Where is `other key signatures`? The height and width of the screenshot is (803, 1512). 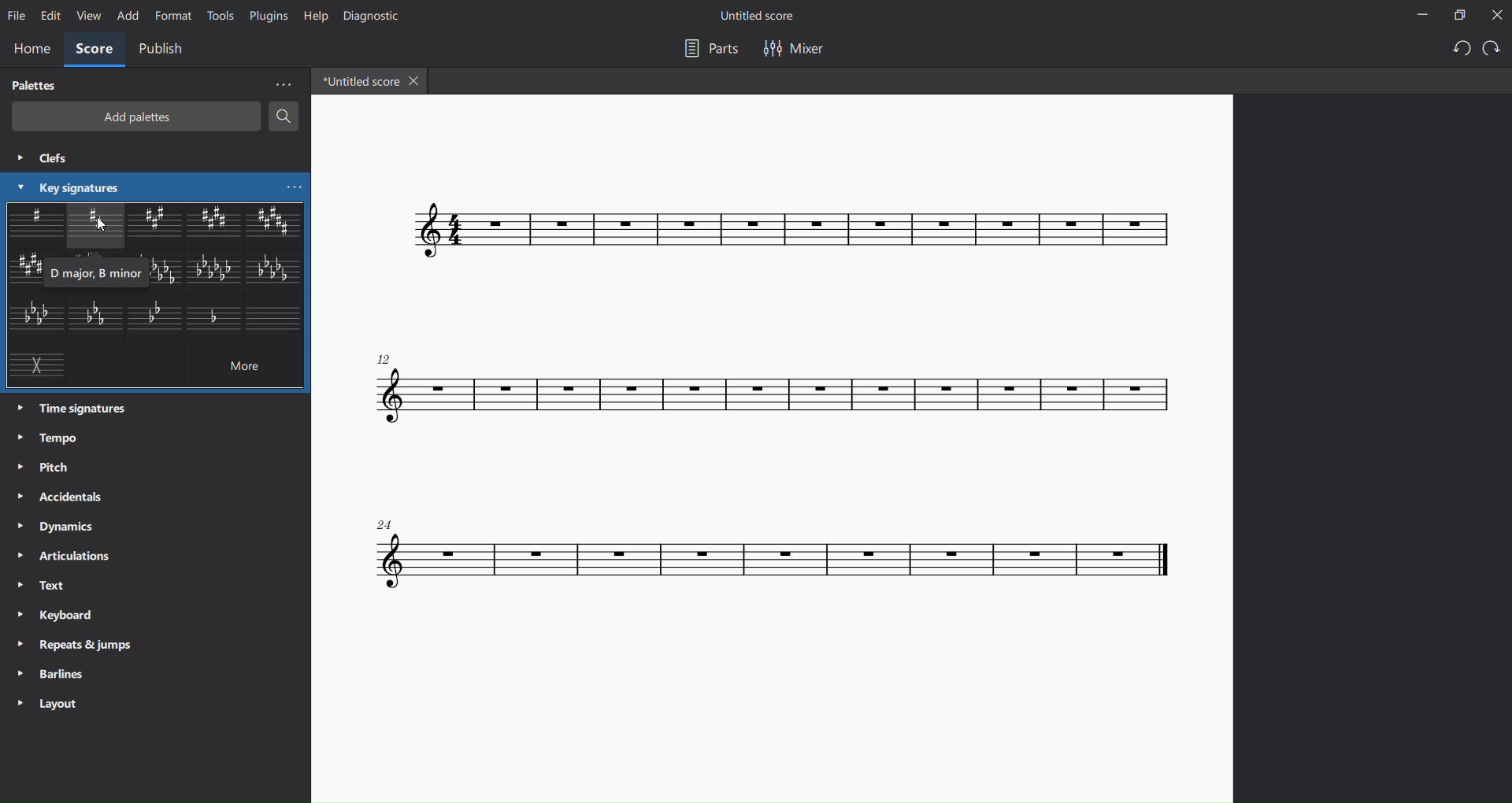 other key signatures is located at coordinates (93, 342).